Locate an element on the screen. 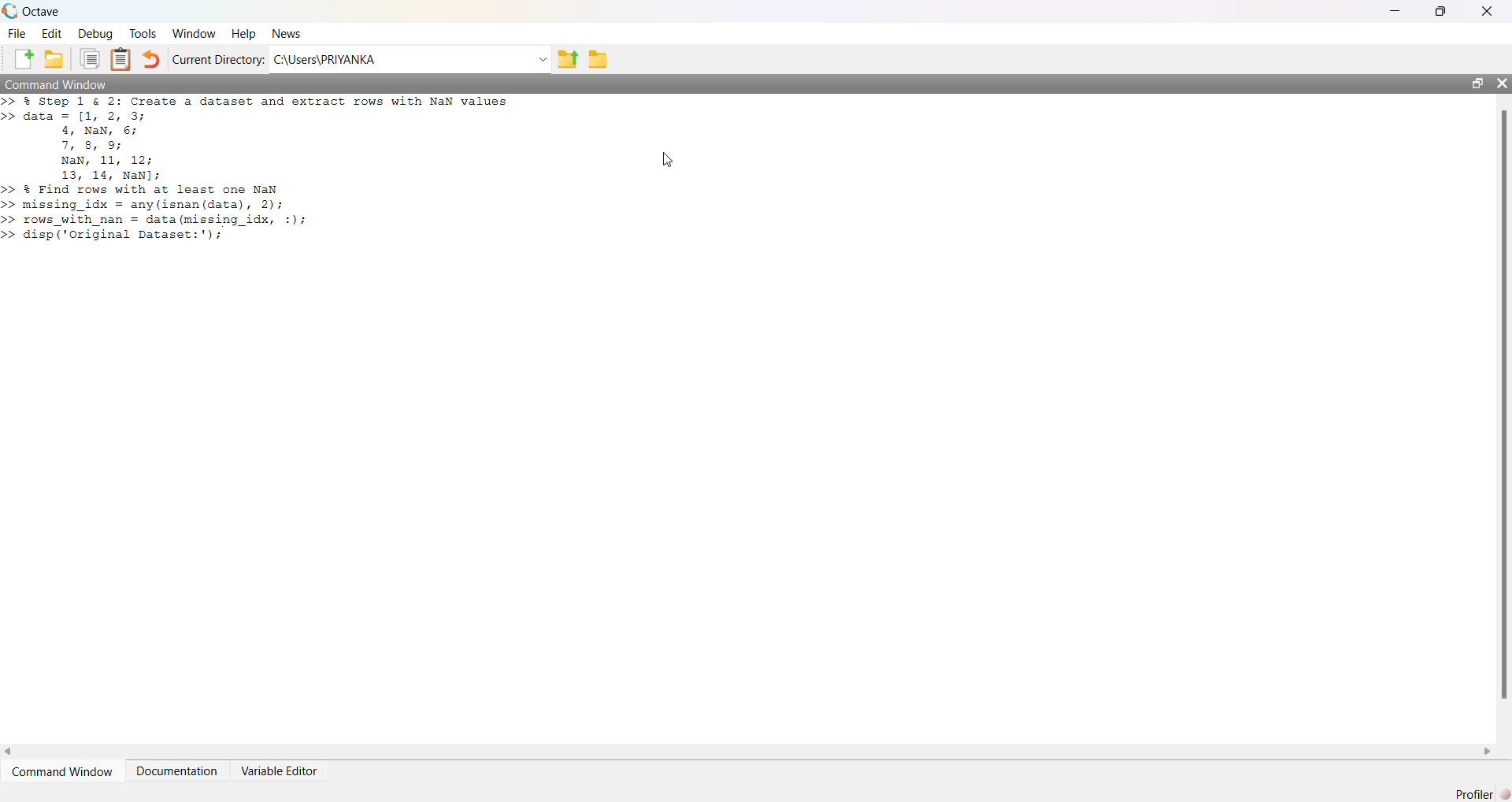 This screenshot has height=802, width=1512. close is located at coordinates (1501, 83).